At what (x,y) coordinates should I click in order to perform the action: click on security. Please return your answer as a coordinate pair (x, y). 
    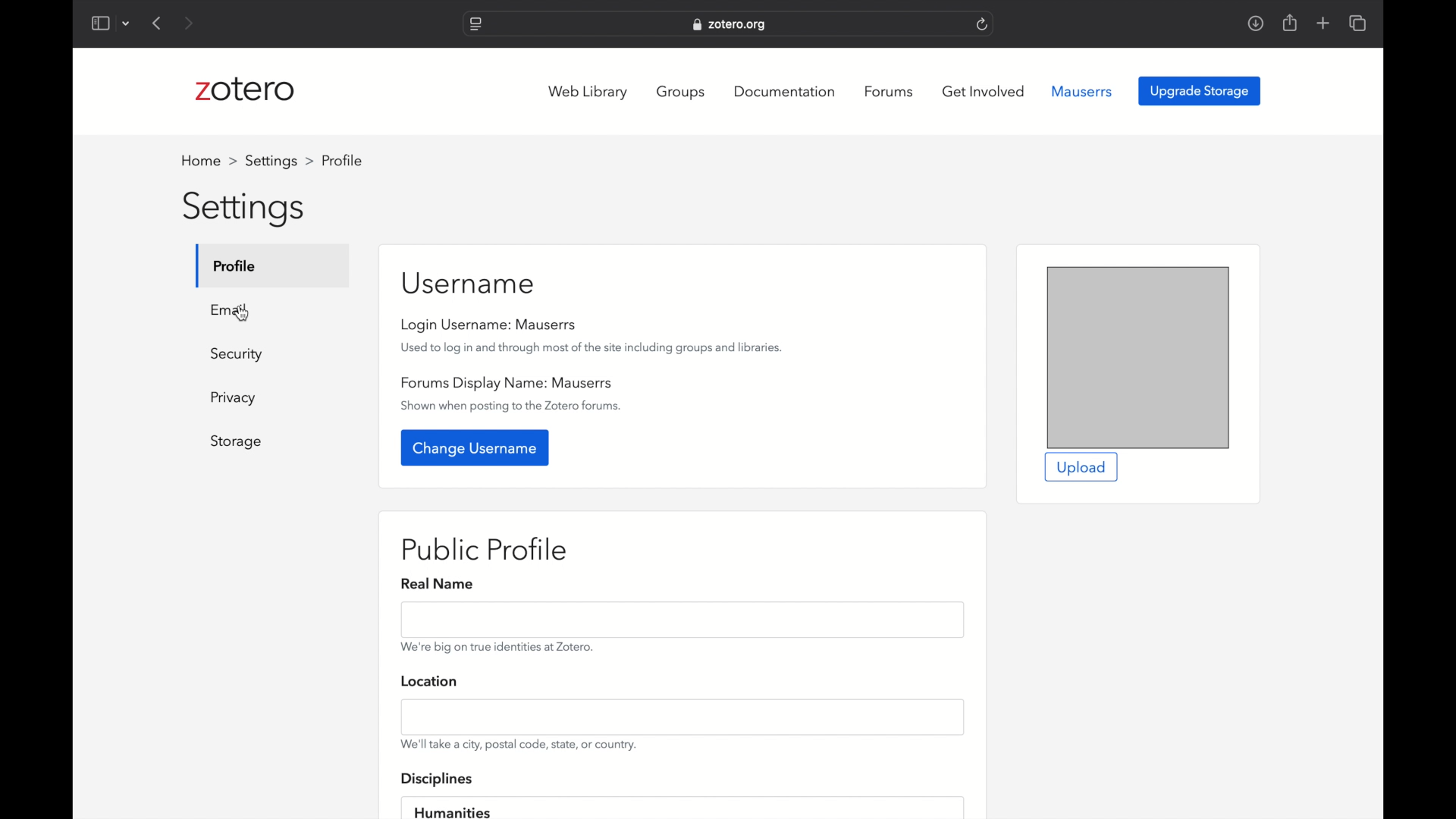
    Looking at the image, I should click on (238, 355).